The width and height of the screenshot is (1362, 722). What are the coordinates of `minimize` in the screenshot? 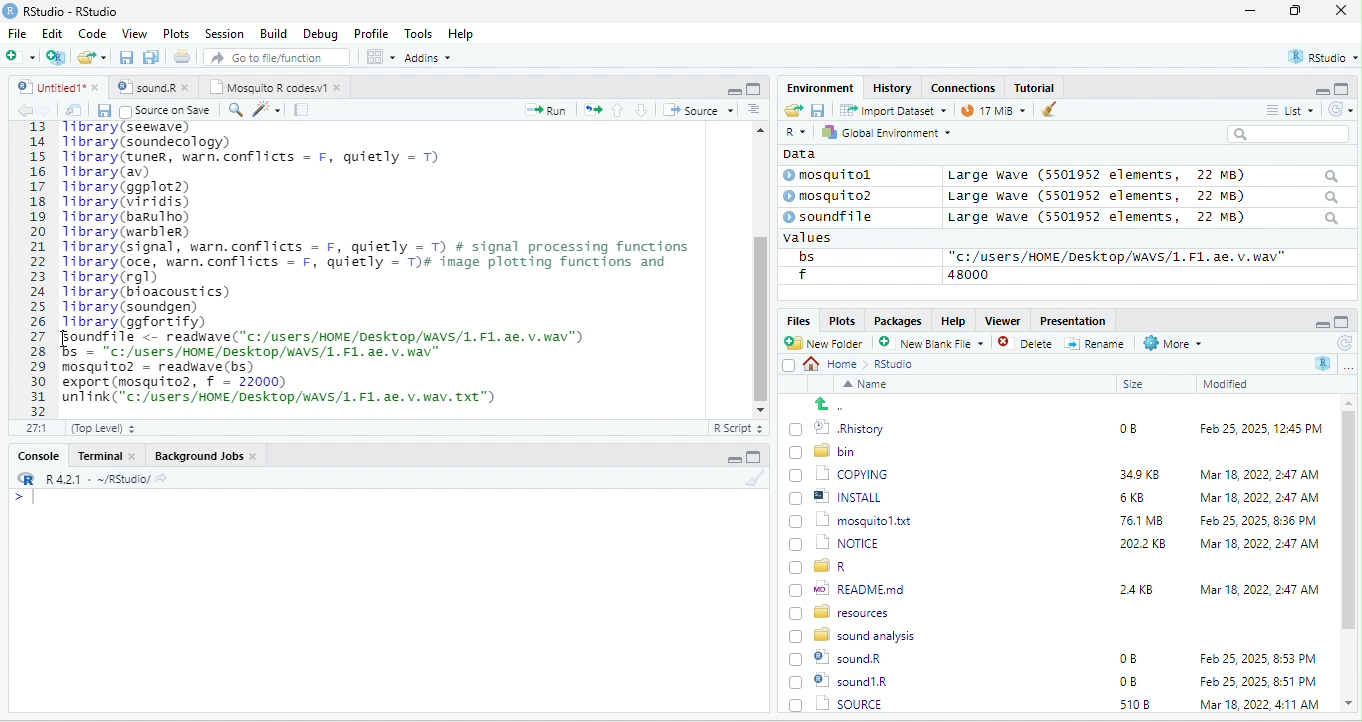 It's located at (731, 460).